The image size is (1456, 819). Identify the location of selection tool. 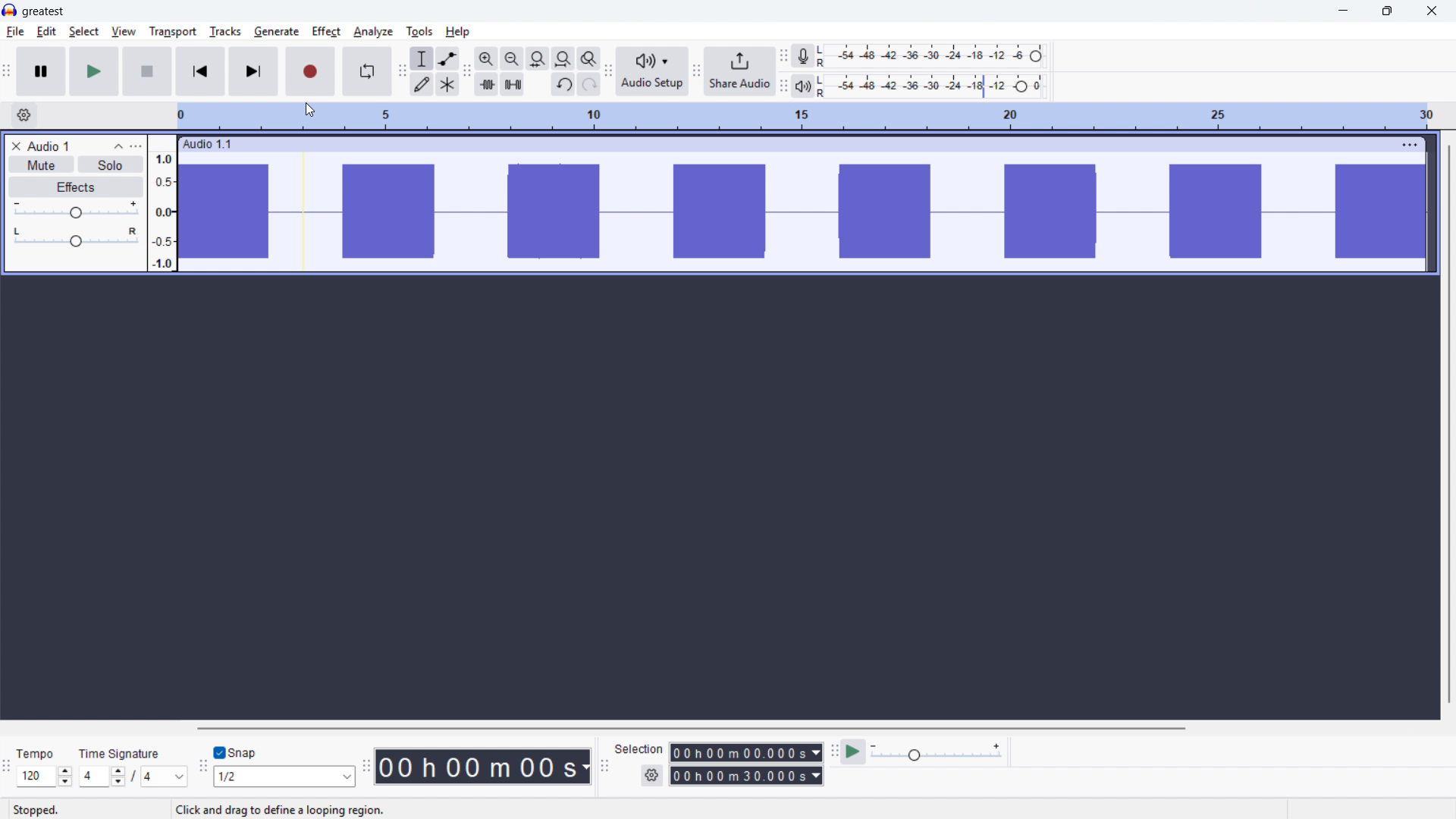
(422, 58).